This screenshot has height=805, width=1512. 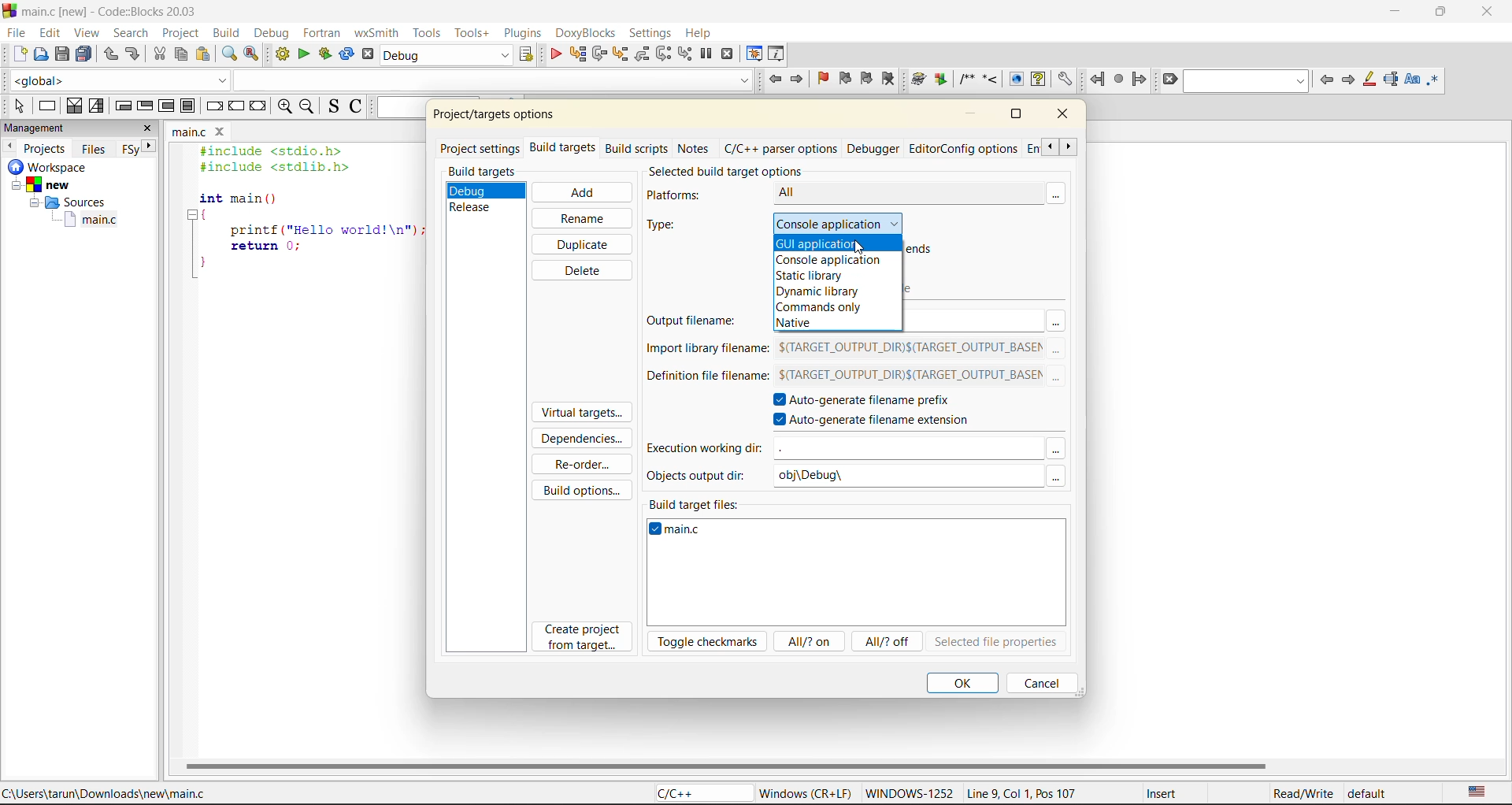 I want to click on , so click(x=1056, y=318).